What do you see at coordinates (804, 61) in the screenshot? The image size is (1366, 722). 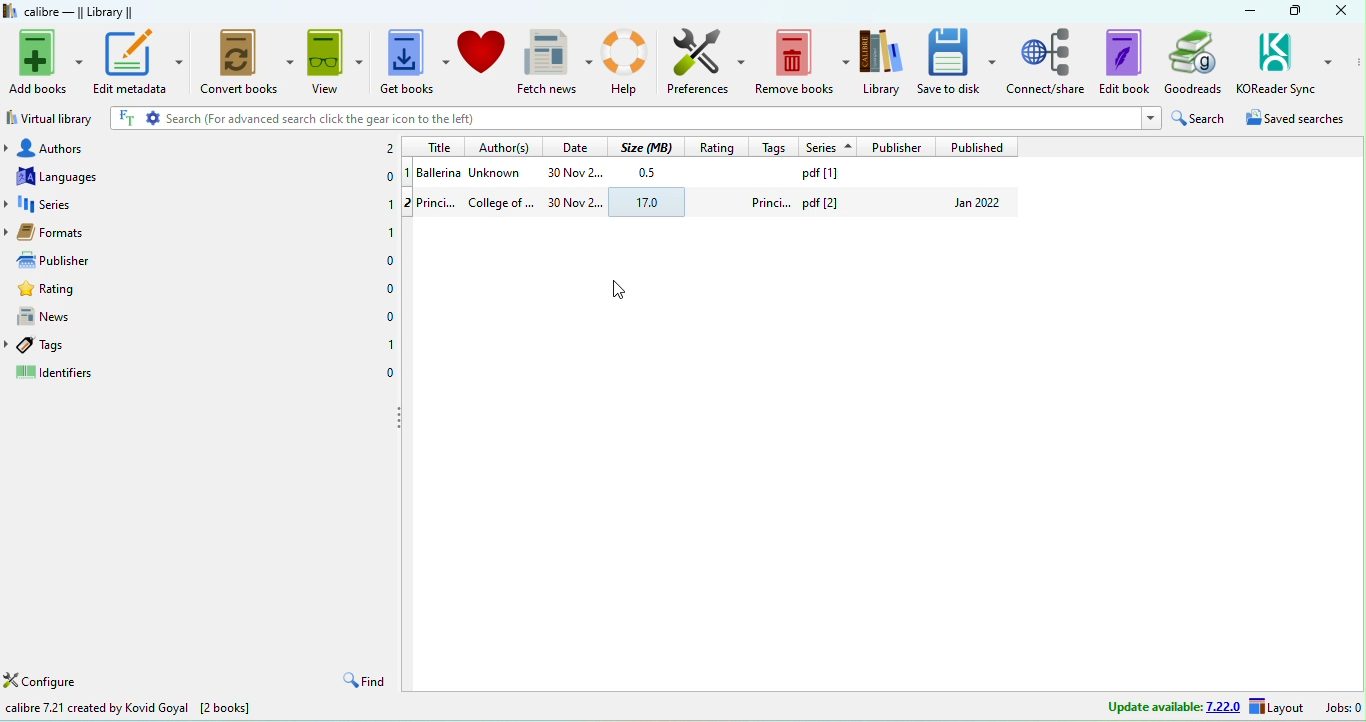 I see `Remove books` at bounding box center [804, 61].